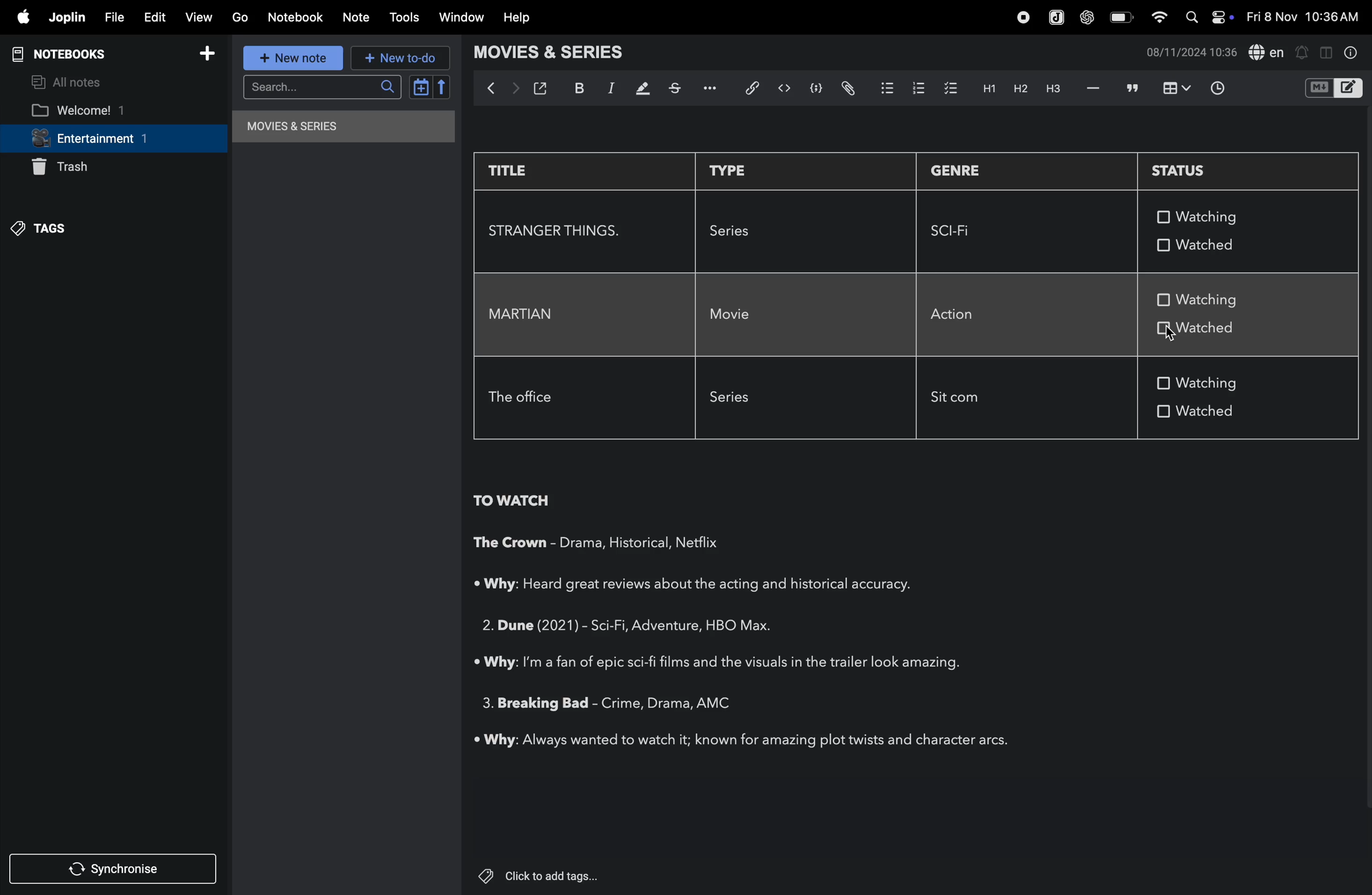  What do you see at coordinates (561, 54) in the screenshot?
I see `movies and series` at bounding box center [561, 54].